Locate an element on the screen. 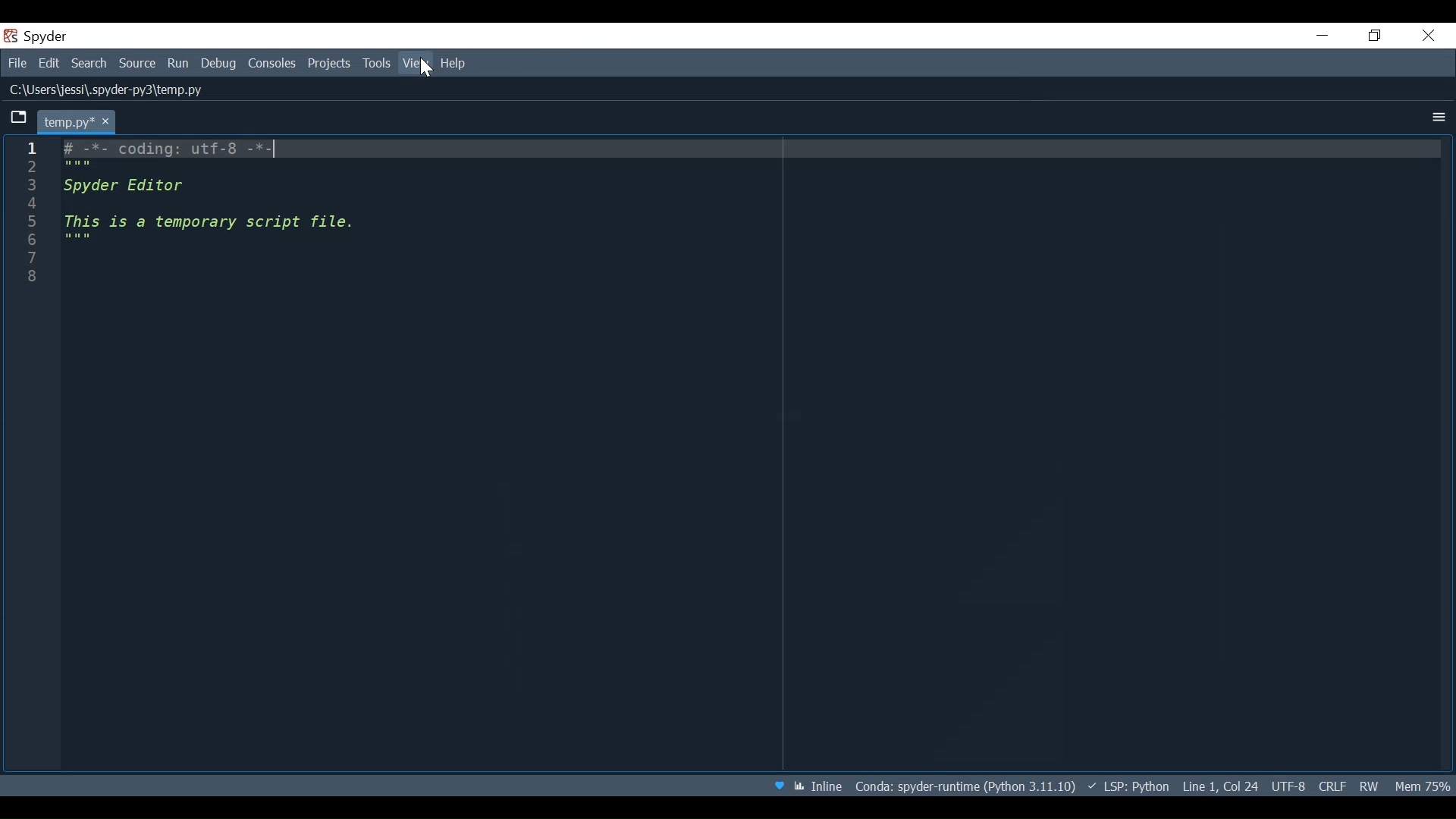  View is located at coordinates (416, 63).